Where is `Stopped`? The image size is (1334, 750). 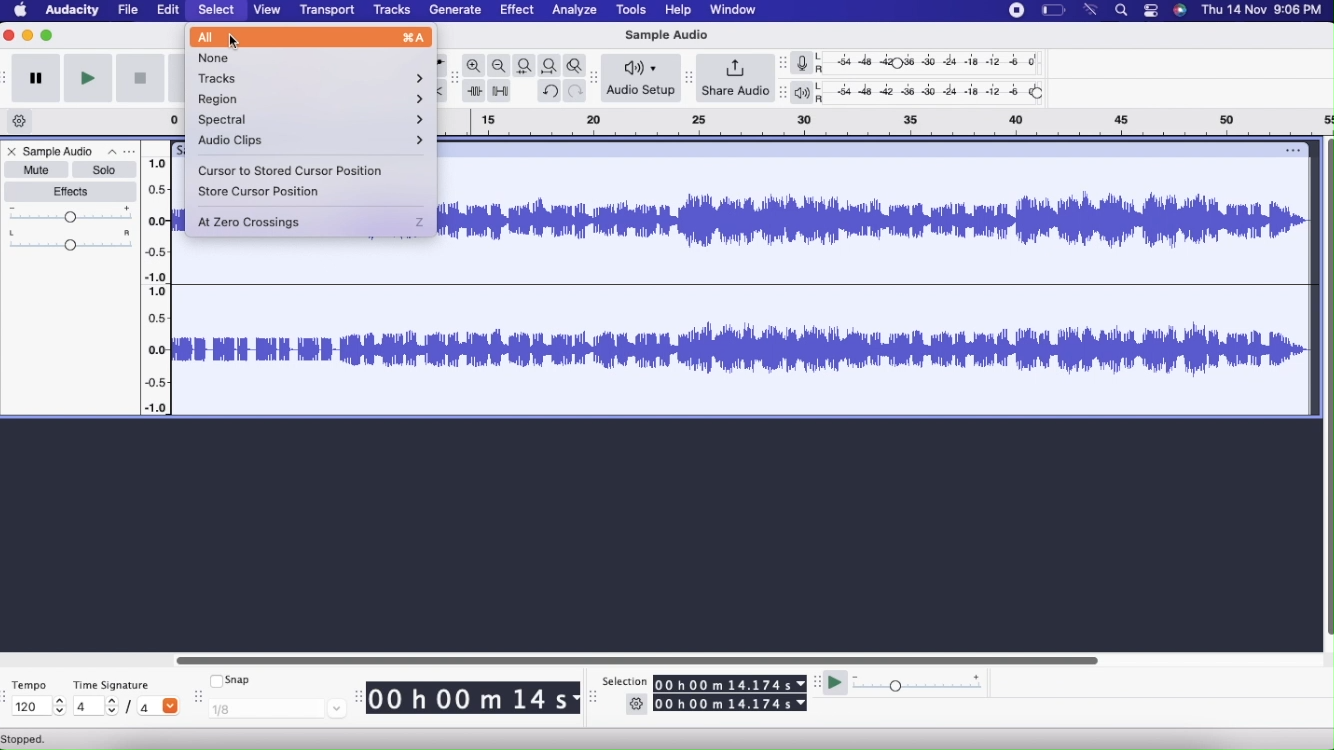
Stopped is located at coordinates (33, 741).